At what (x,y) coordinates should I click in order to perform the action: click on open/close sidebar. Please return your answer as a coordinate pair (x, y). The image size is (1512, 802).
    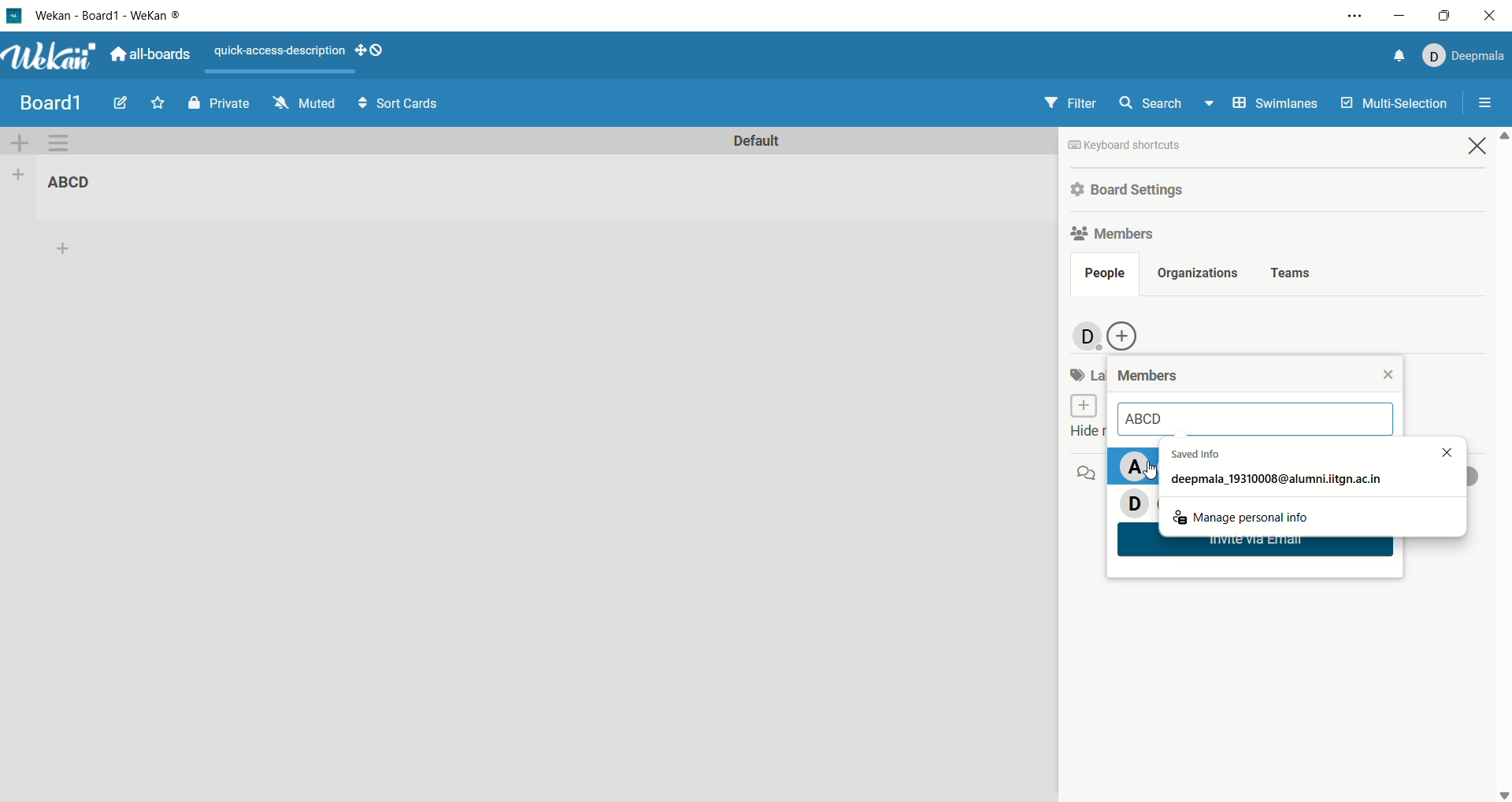
    Looking at the image, I should click on (1486, 104).